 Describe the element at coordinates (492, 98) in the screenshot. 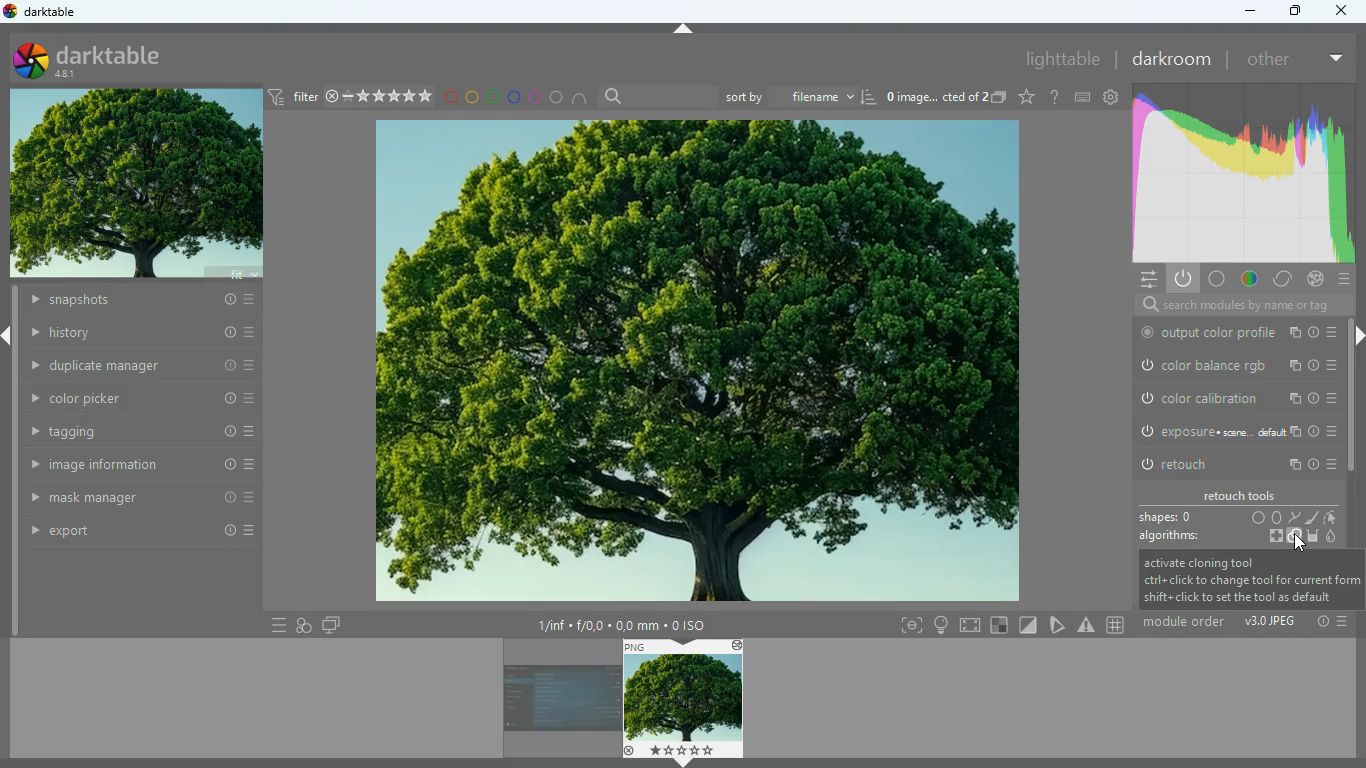

I see `green` at that location.